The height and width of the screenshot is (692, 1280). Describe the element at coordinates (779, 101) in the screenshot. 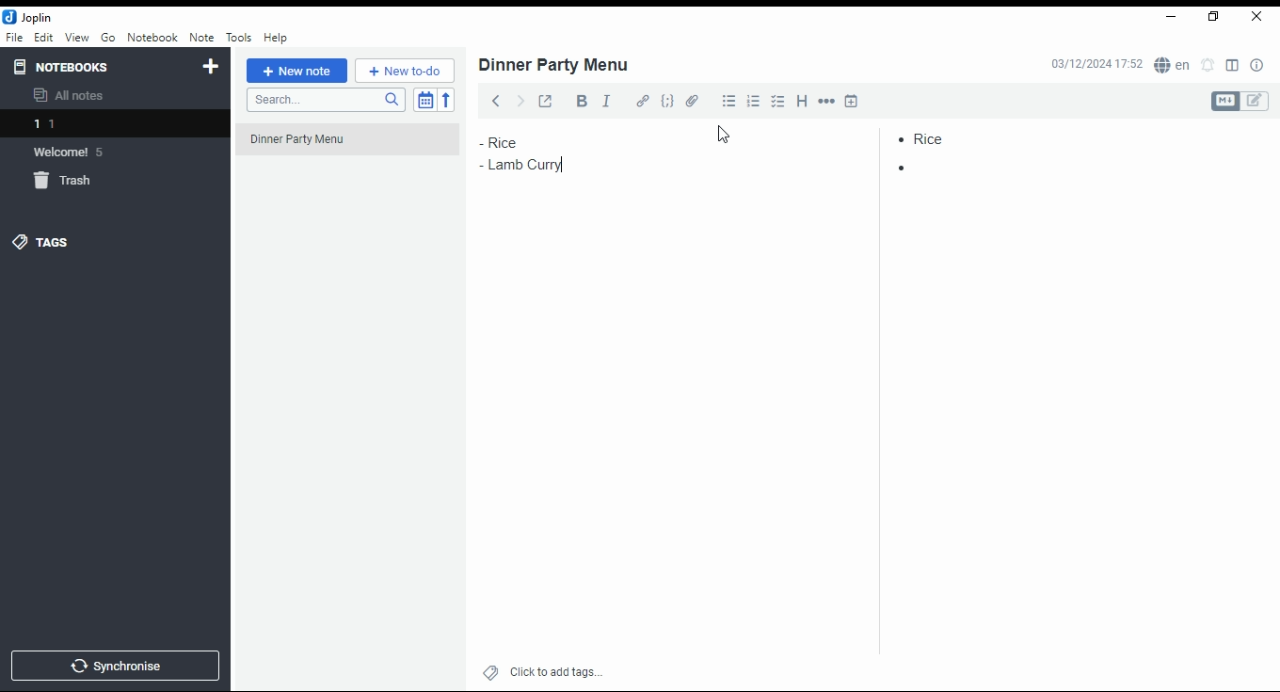

I see `chekbox list` at that location.